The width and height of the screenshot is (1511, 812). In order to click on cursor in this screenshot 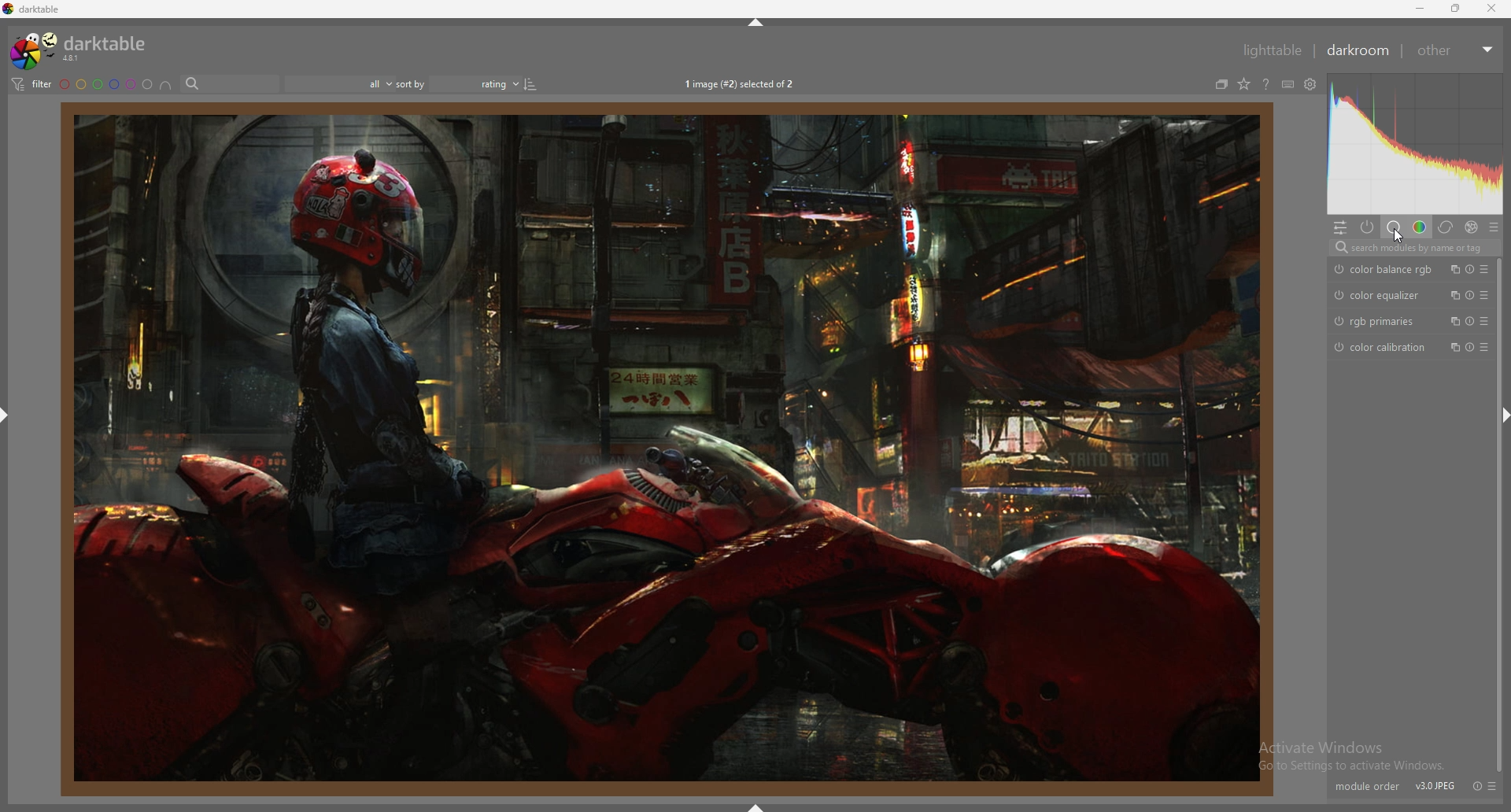, I will do `click(1398, 233)`.